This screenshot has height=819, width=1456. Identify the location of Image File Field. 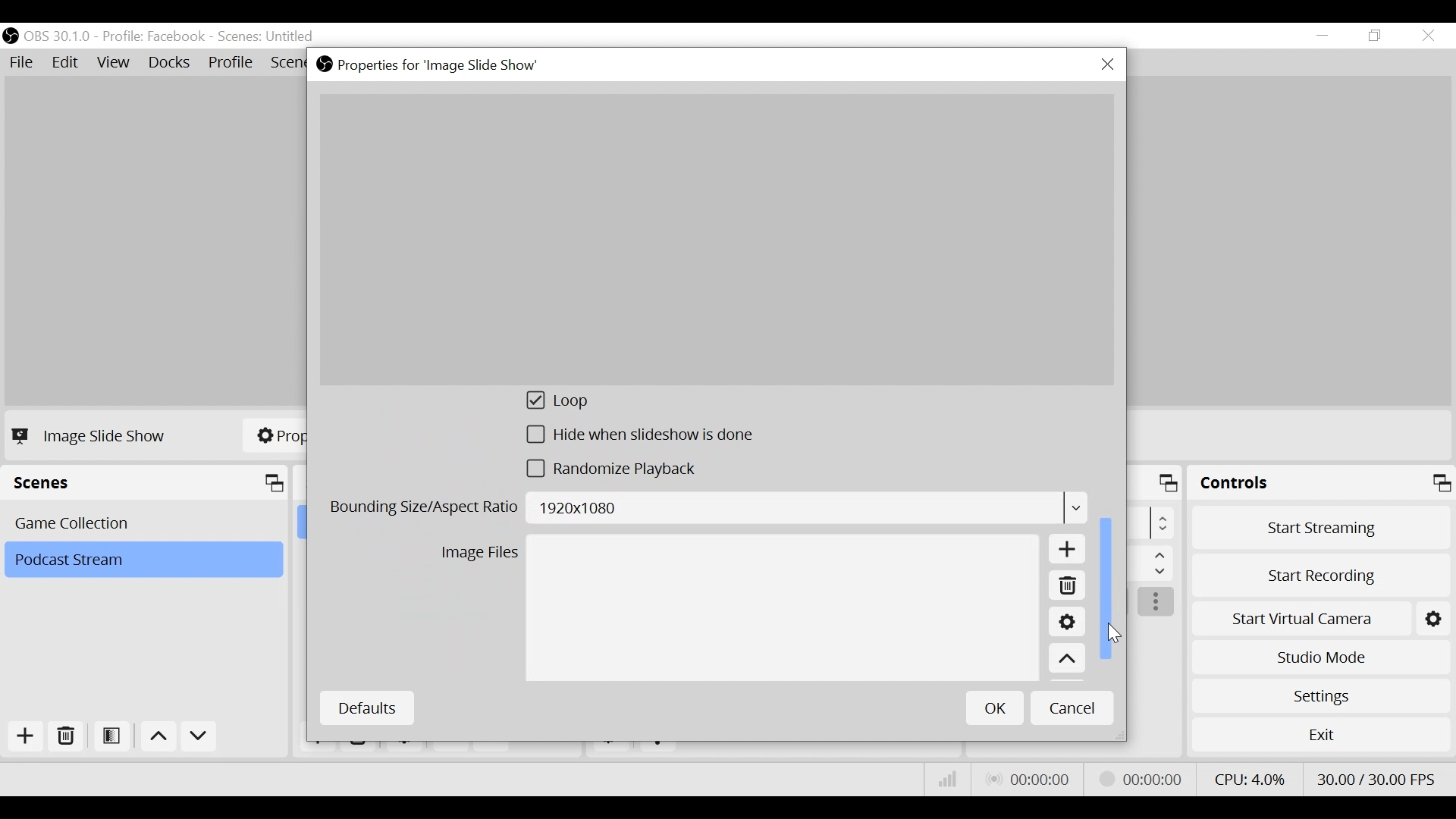
(782, 608).